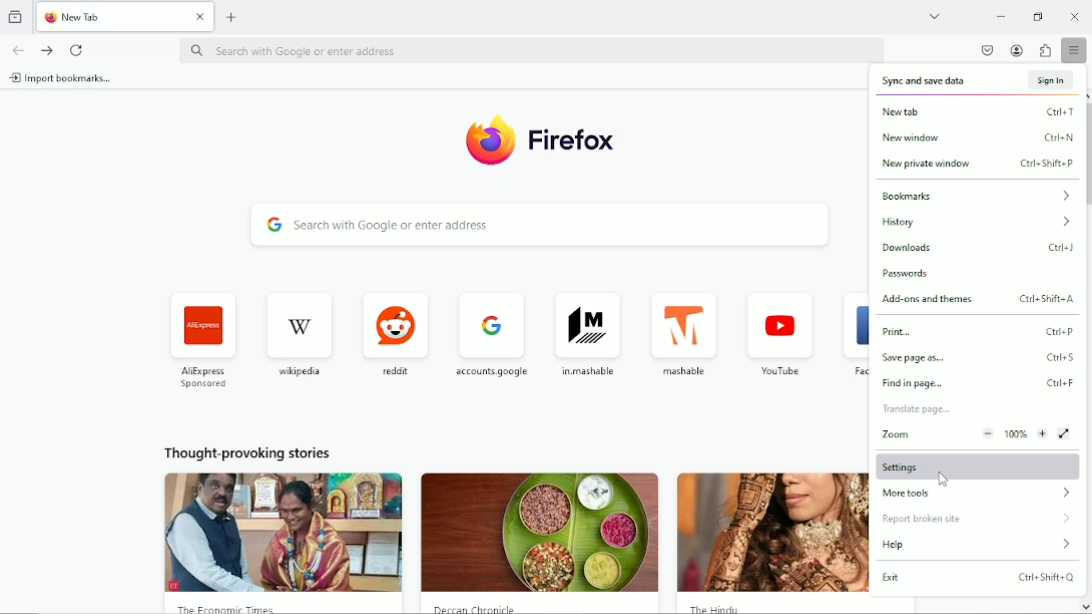 This screenshot has width=1092, height=614. Describe the element at coordinates (118, 16) in the screenshot. I see `new tab` at that location.